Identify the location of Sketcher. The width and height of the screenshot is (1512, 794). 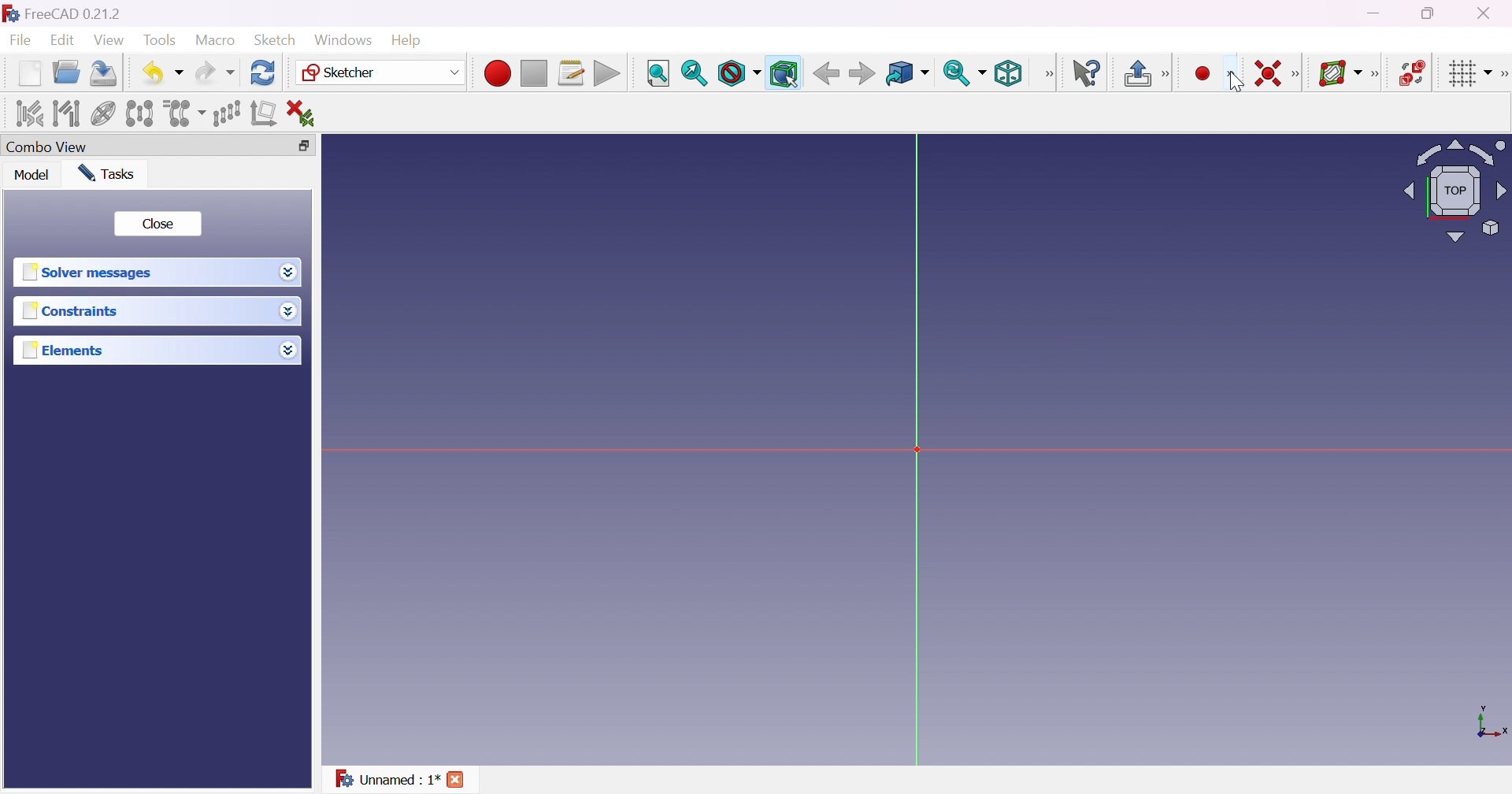
(382, 72).